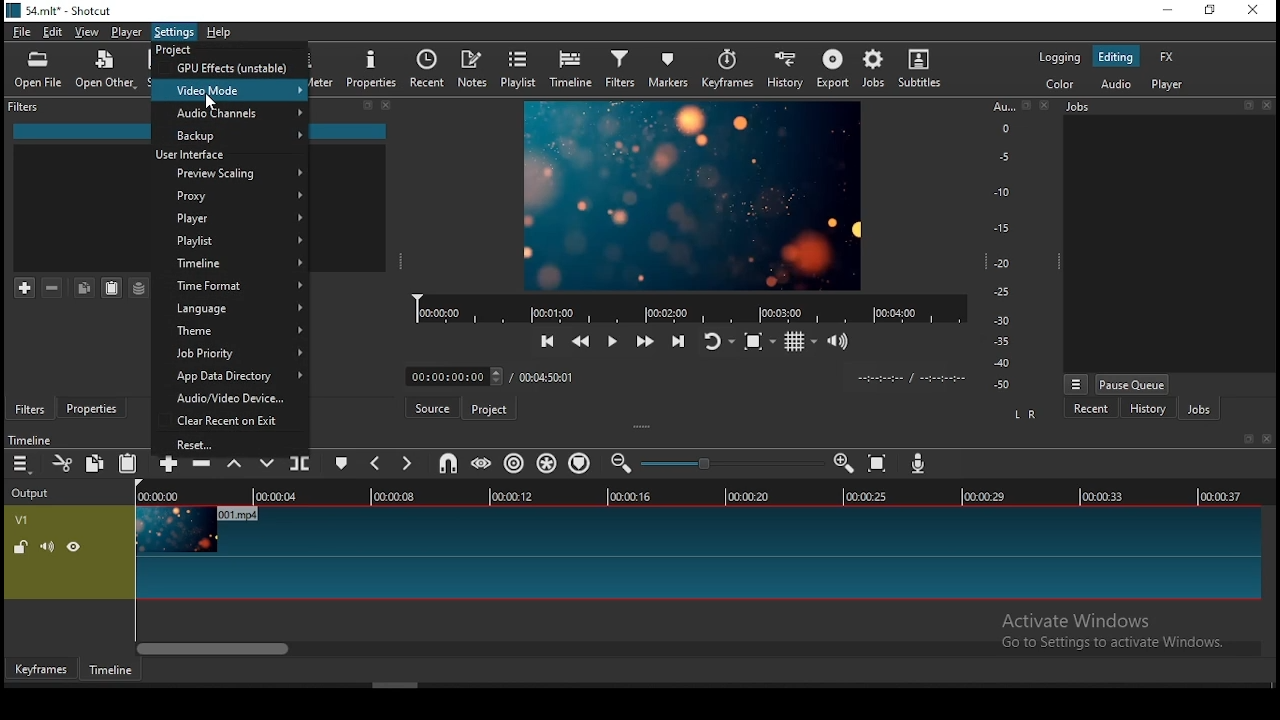 The width and height of the screenshot is (1280, 720). What do you see at coordinates (38, 73) in the screenshot?
I see `open file` at bounding box center [38, 73].